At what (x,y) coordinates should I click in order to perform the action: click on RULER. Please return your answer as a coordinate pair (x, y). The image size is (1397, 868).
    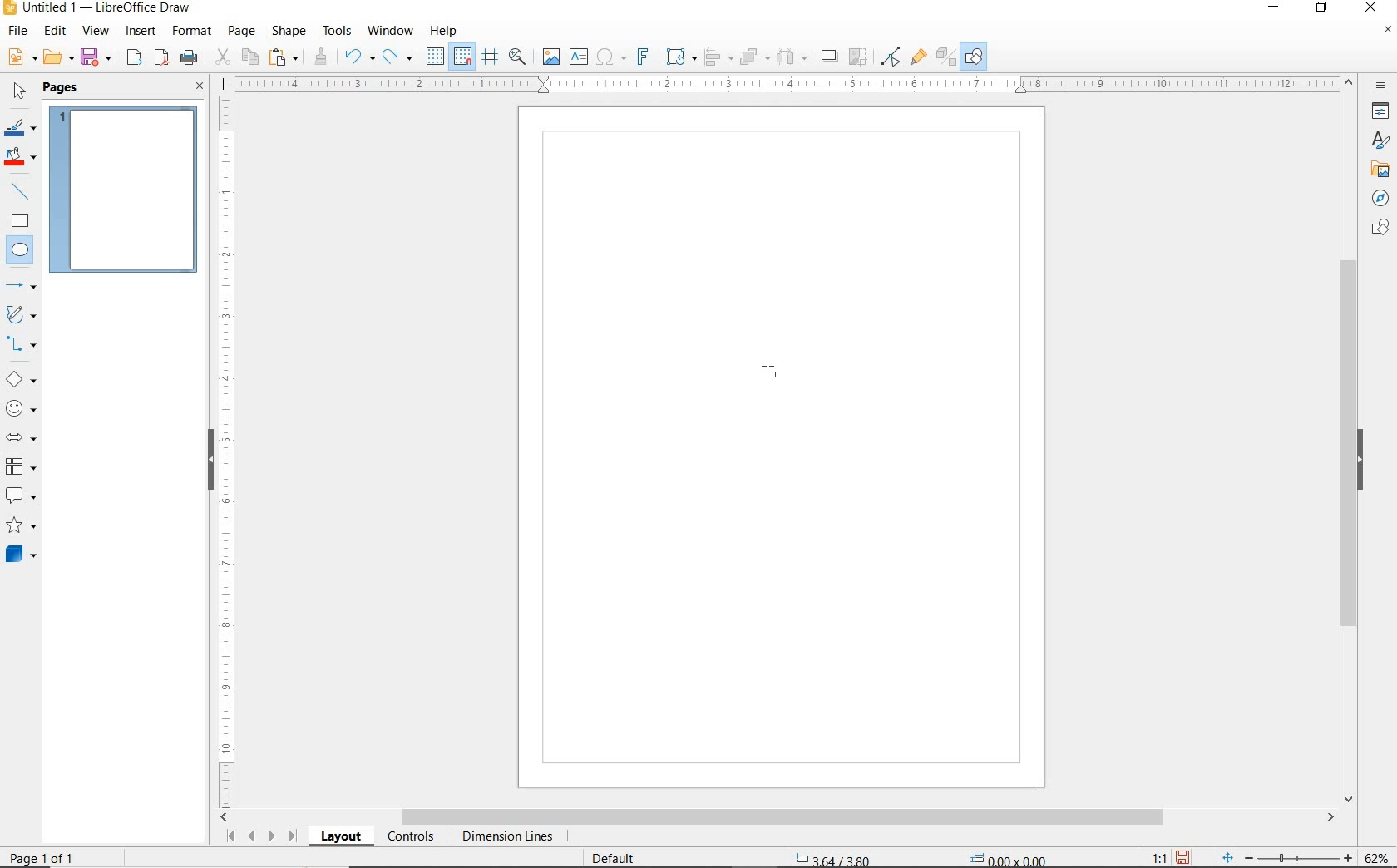
    Looking at the image, I should click on (788, 85).